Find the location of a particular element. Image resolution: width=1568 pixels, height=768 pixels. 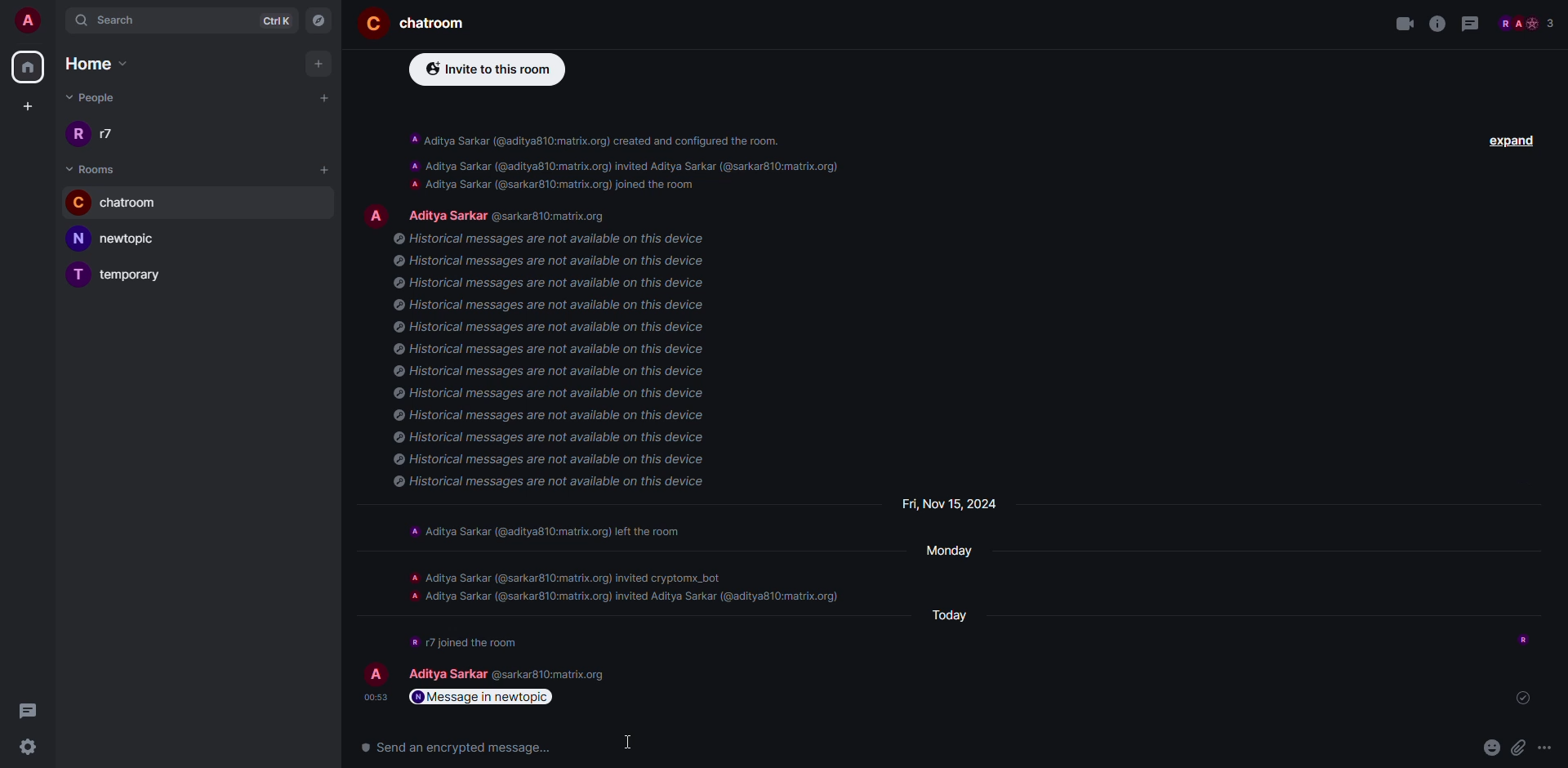

A Aditya Sarkar (@aditya810:matrix.org) left the room is located at coordinates (558, 533).